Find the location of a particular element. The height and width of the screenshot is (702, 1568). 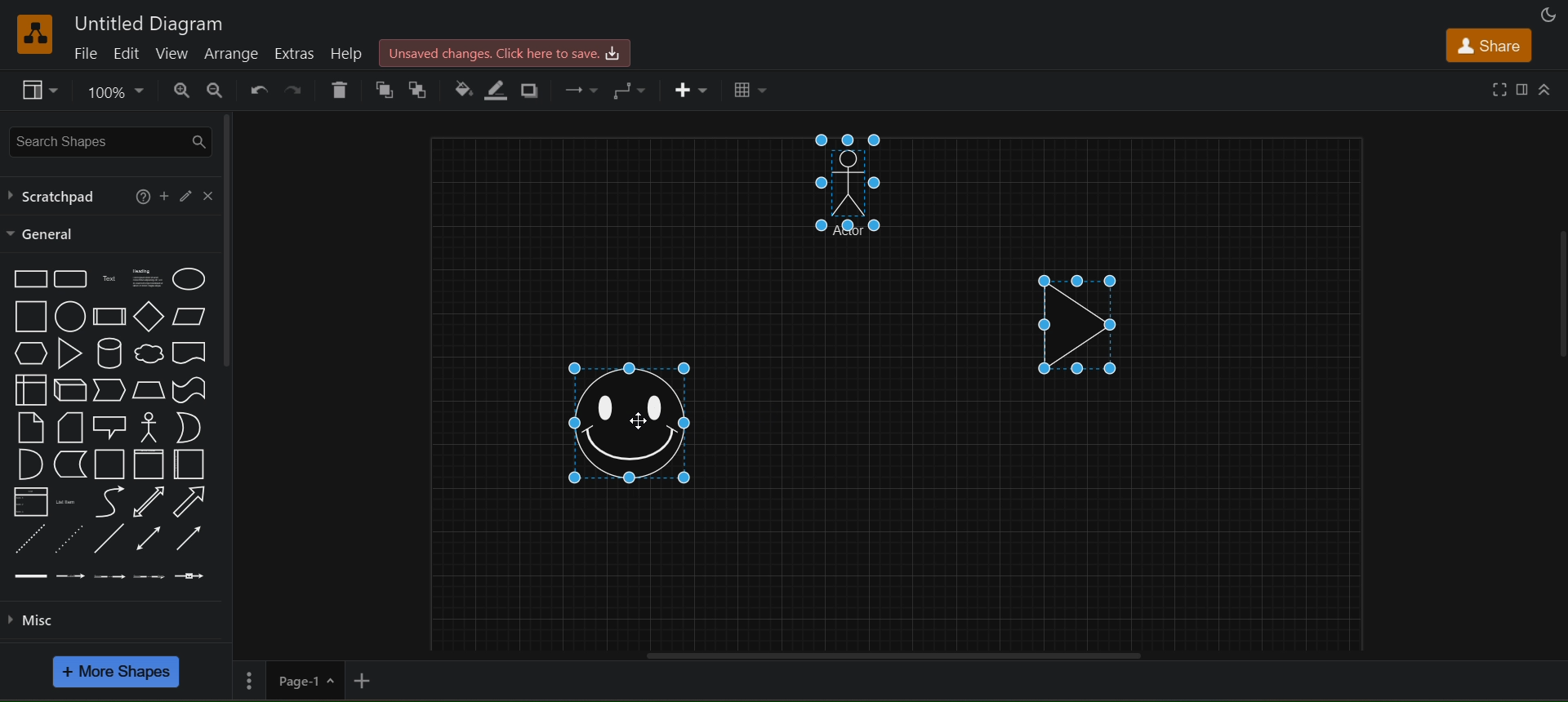

rectangle is located at coordinates (28, 280).